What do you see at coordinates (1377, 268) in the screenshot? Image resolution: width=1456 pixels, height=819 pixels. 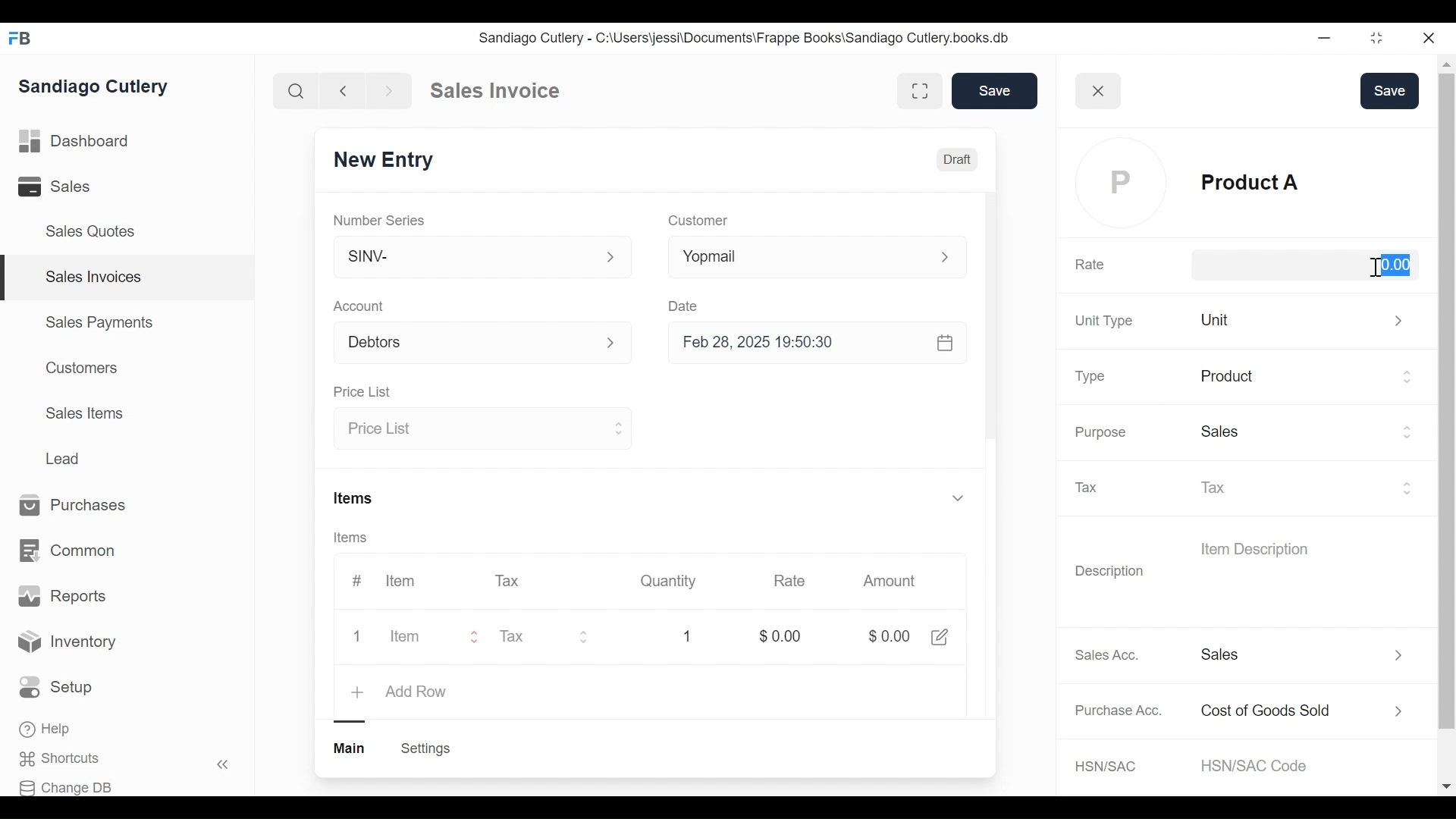 I see `cursor` at bounding box center [1377, 268].